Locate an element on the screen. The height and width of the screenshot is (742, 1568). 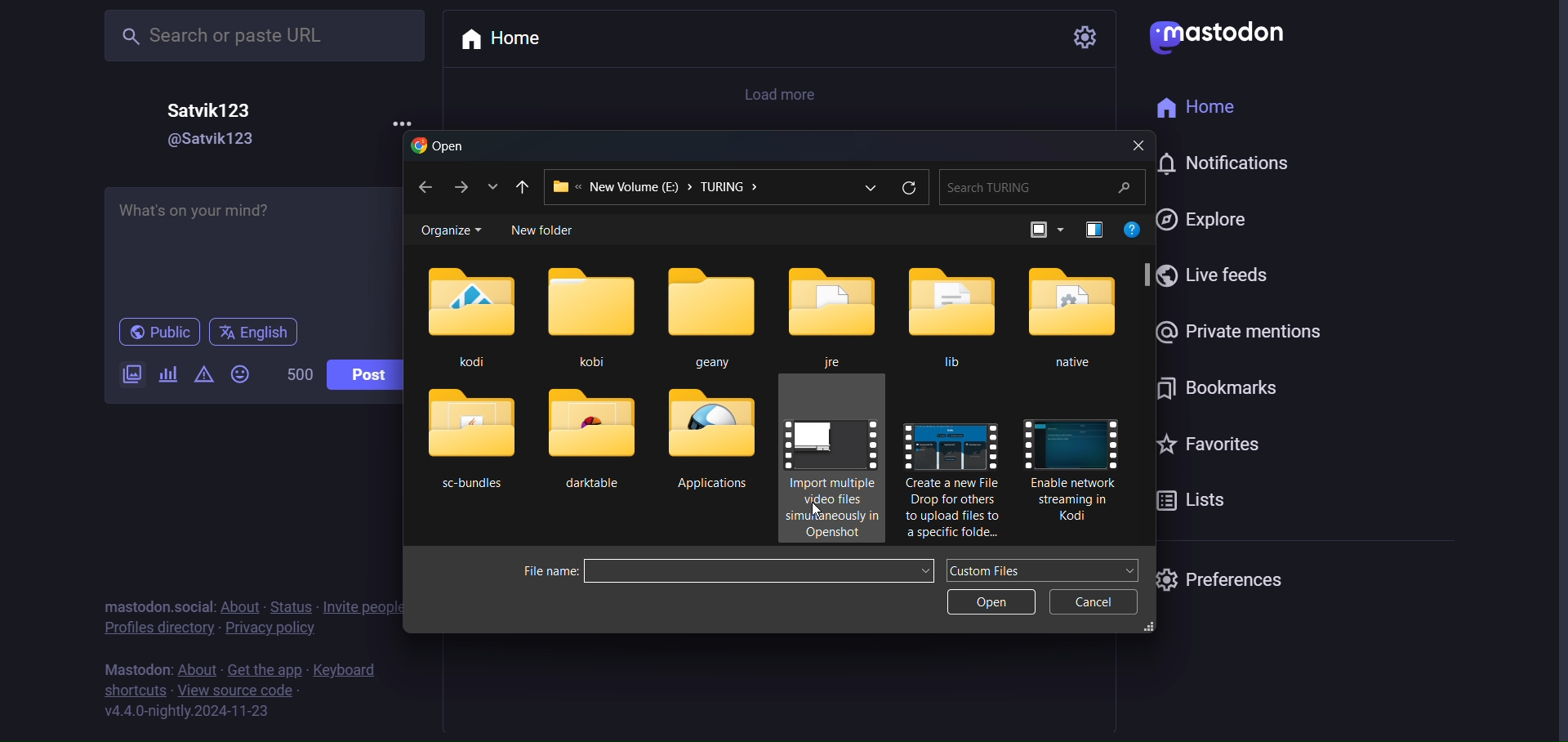
shortcut is located at coordinates (134, 691).